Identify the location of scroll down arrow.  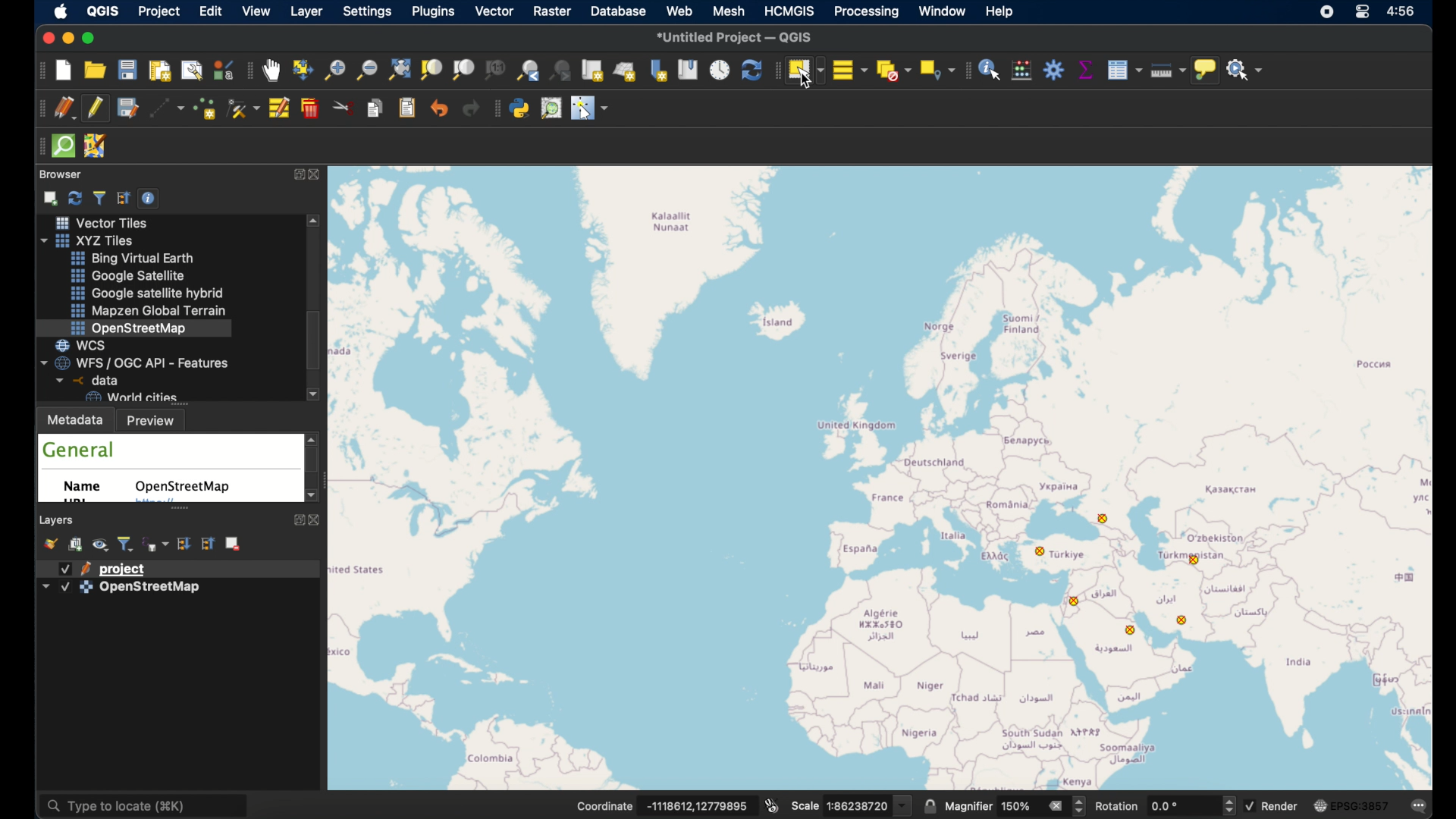
(315, 395).